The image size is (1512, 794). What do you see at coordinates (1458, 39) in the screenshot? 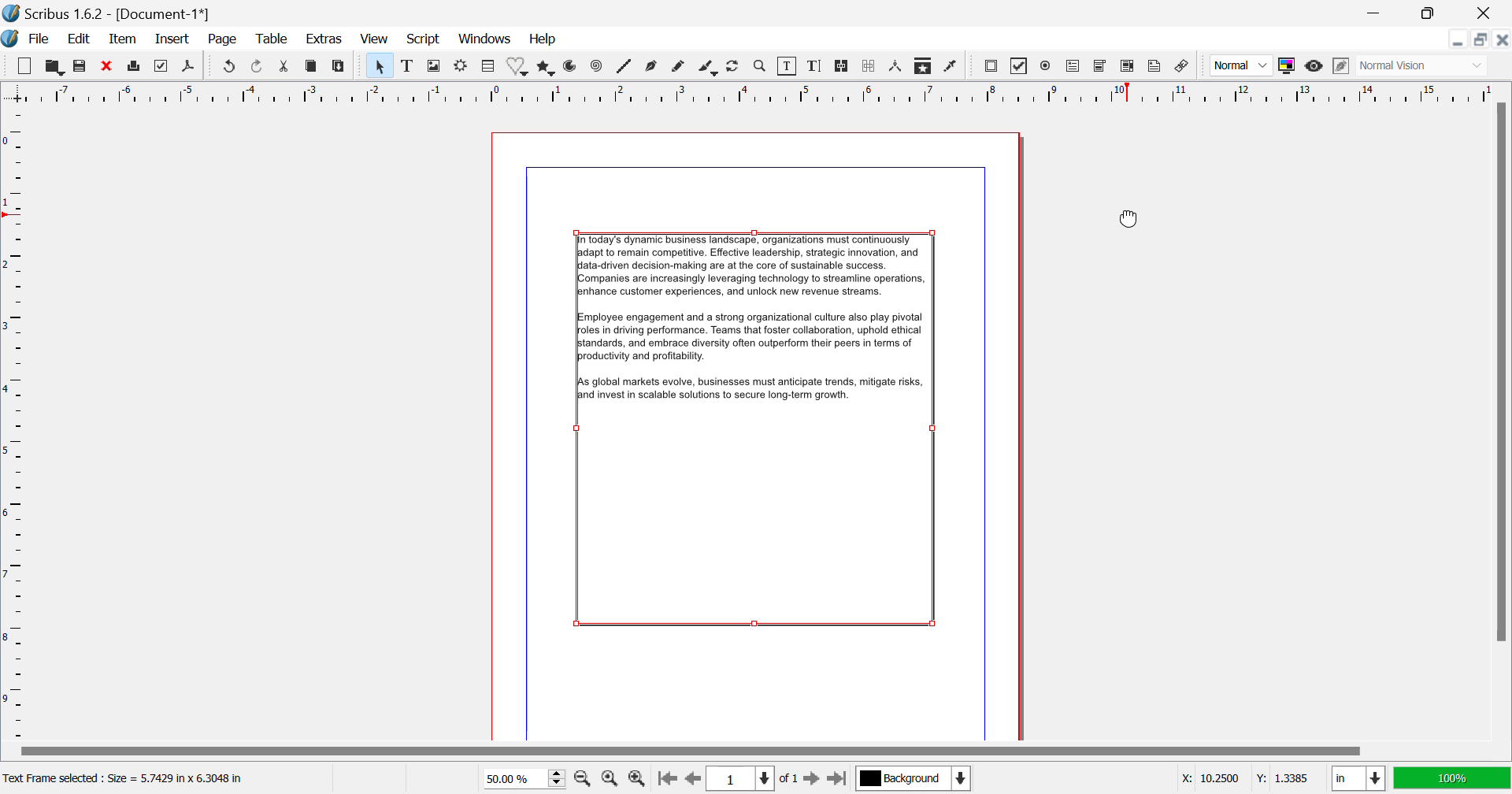
I see `Restore Down` at bounding box center [1458, 39].